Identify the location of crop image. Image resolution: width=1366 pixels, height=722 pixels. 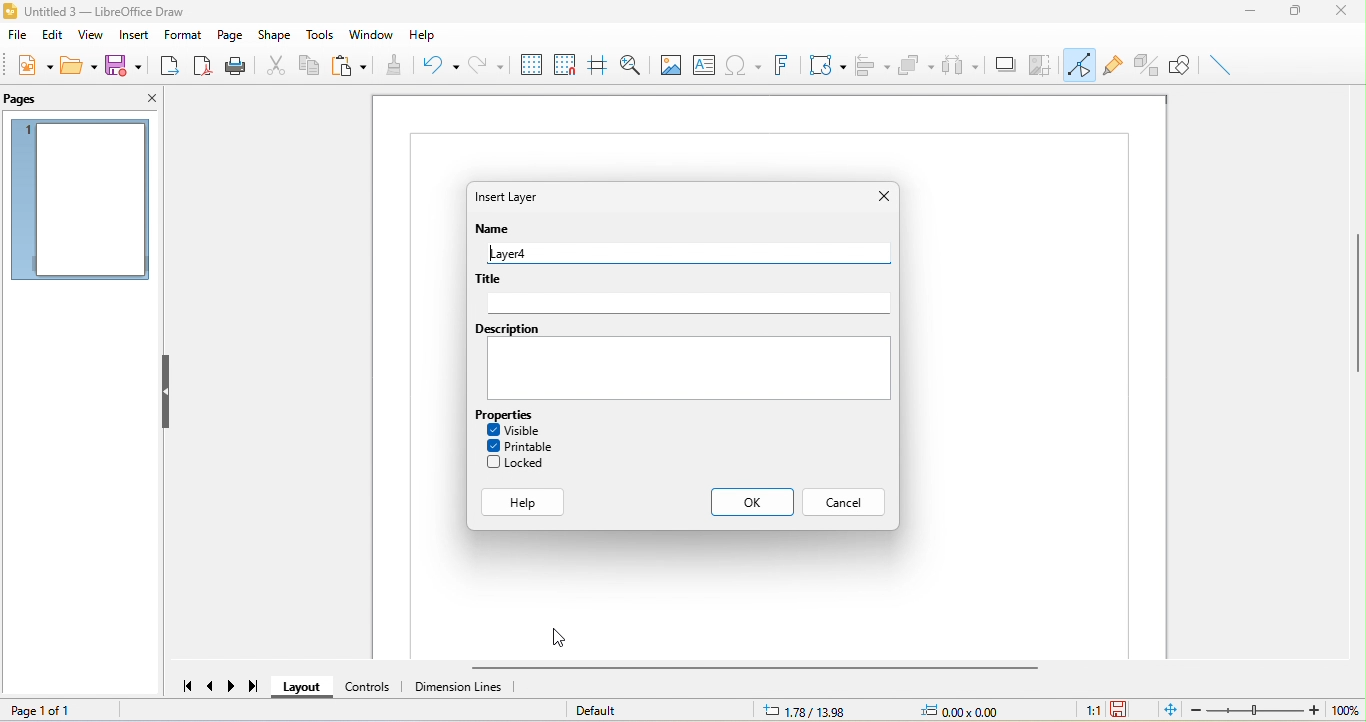
(1042, 64).